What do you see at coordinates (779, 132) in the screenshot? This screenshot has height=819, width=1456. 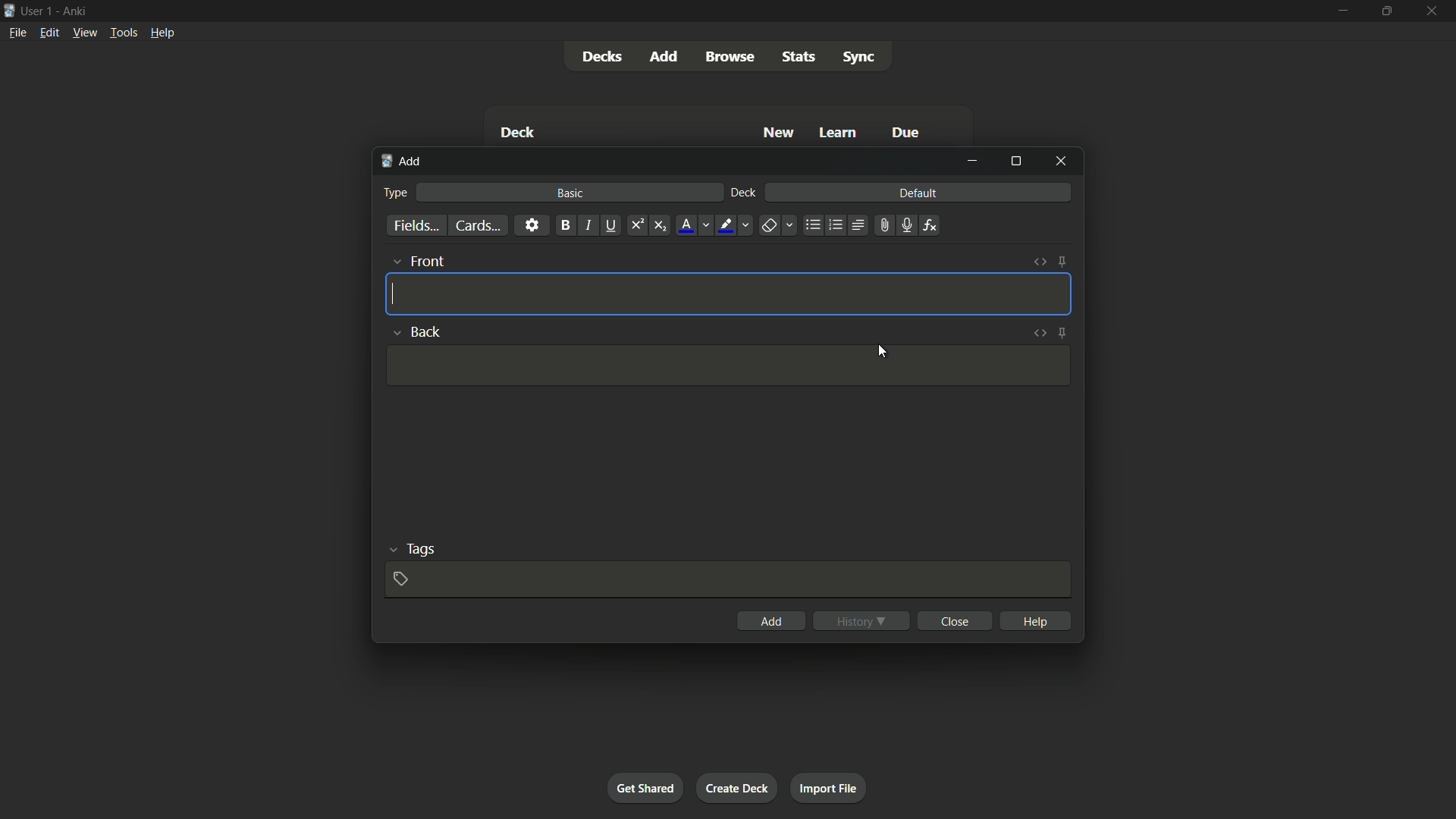 I see `new` at bounding box center [779, 132].